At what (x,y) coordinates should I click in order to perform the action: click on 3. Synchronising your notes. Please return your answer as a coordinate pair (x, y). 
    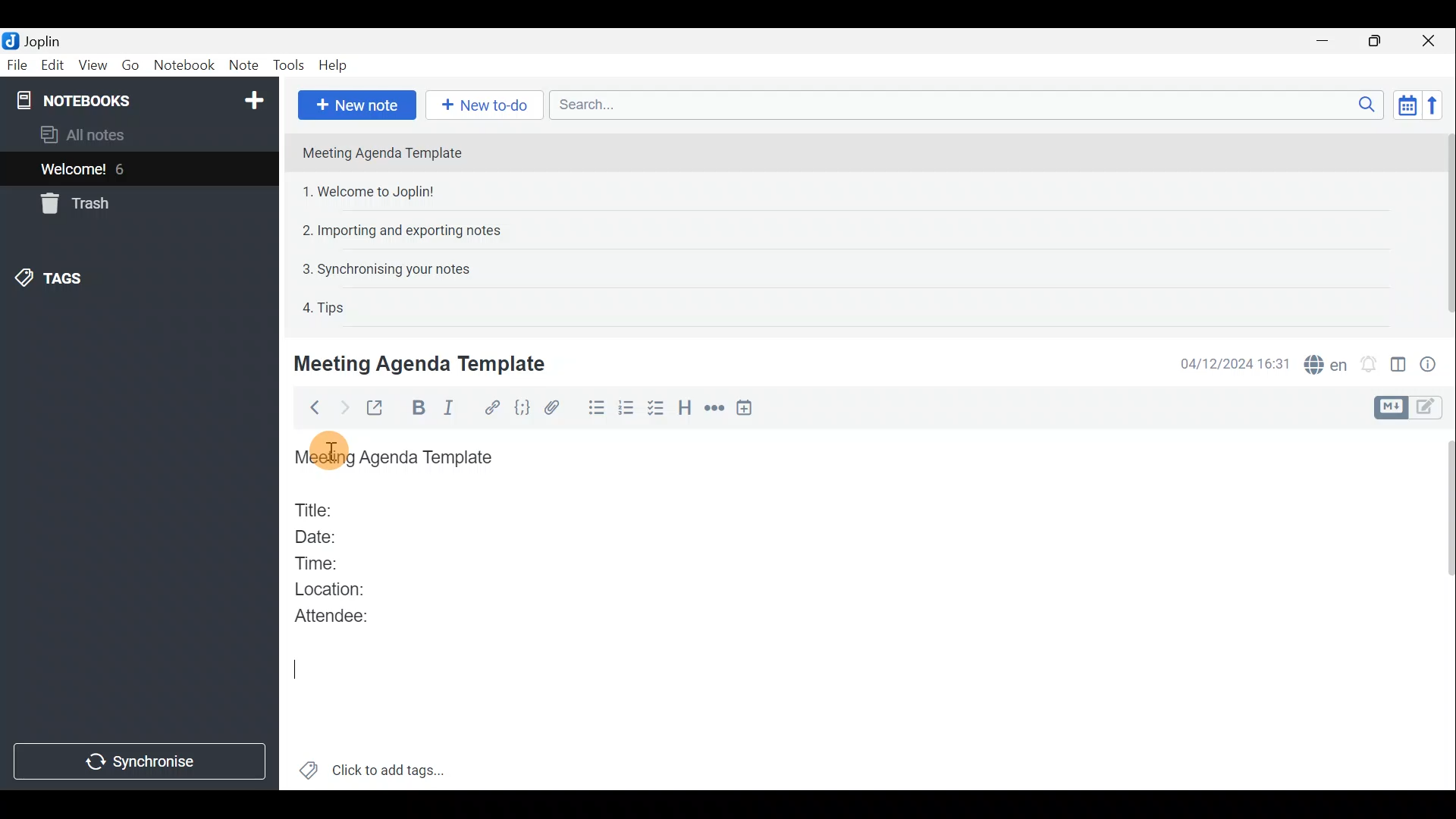
    Looking at the image, I should click on (386, 268).